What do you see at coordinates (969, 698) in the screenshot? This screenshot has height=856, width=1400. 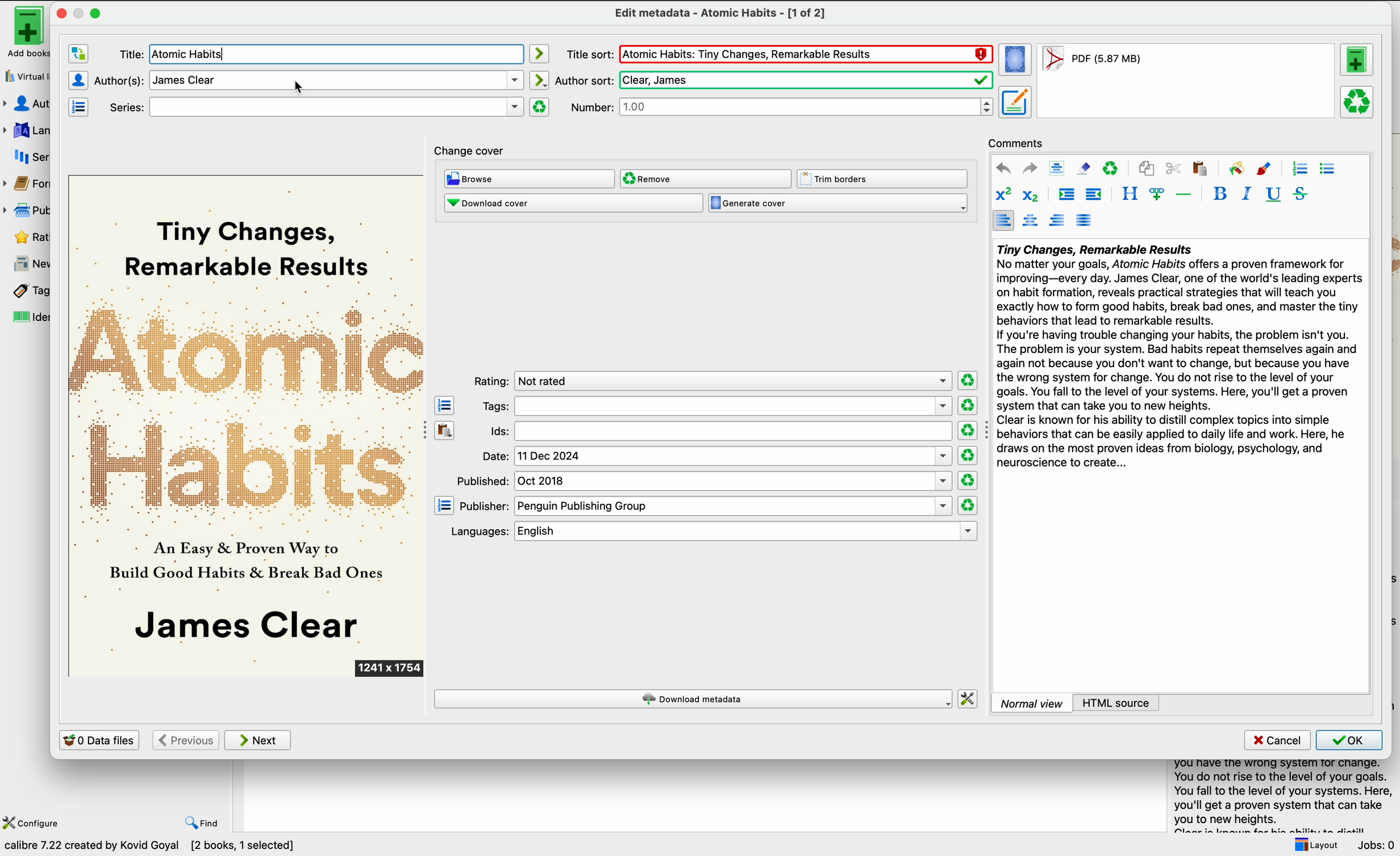 I see `change how calibre downloads metadata` at bounding box center [969, 698].